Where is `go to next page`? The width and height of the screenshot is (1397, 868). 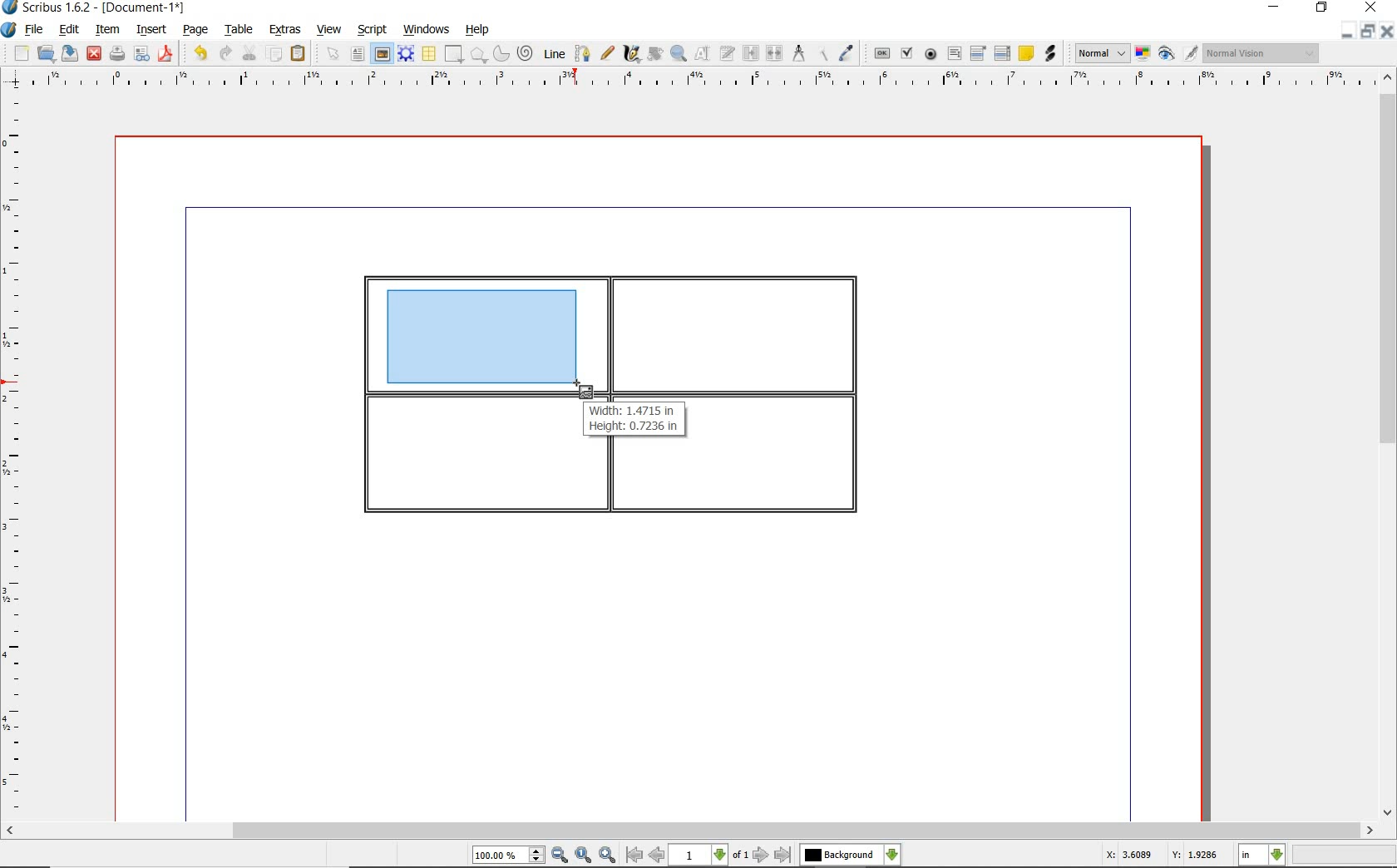
go to next page is located at coordinates (761, 855).